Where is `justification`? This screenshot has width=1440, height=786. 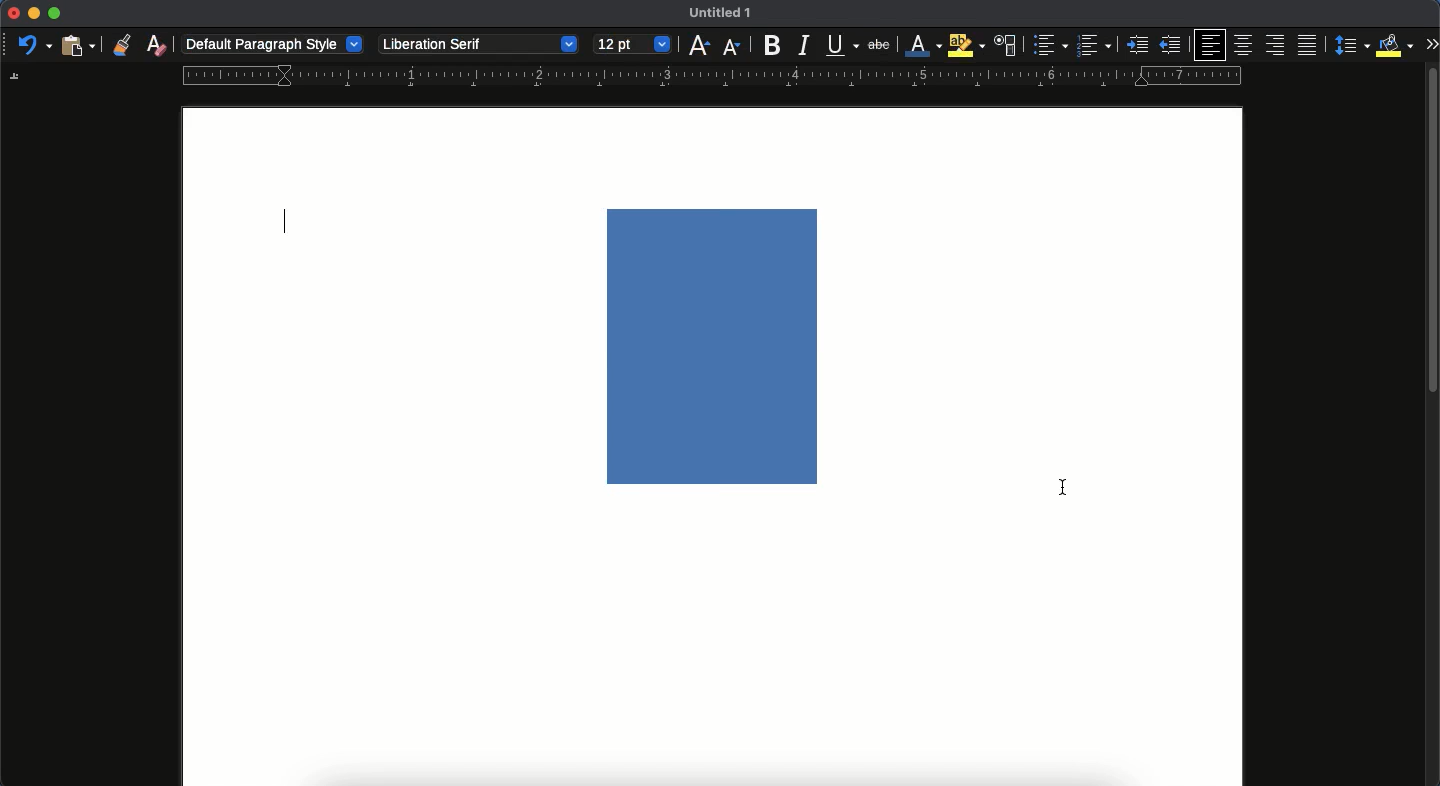
justification is located at coordinates (1305, 44).